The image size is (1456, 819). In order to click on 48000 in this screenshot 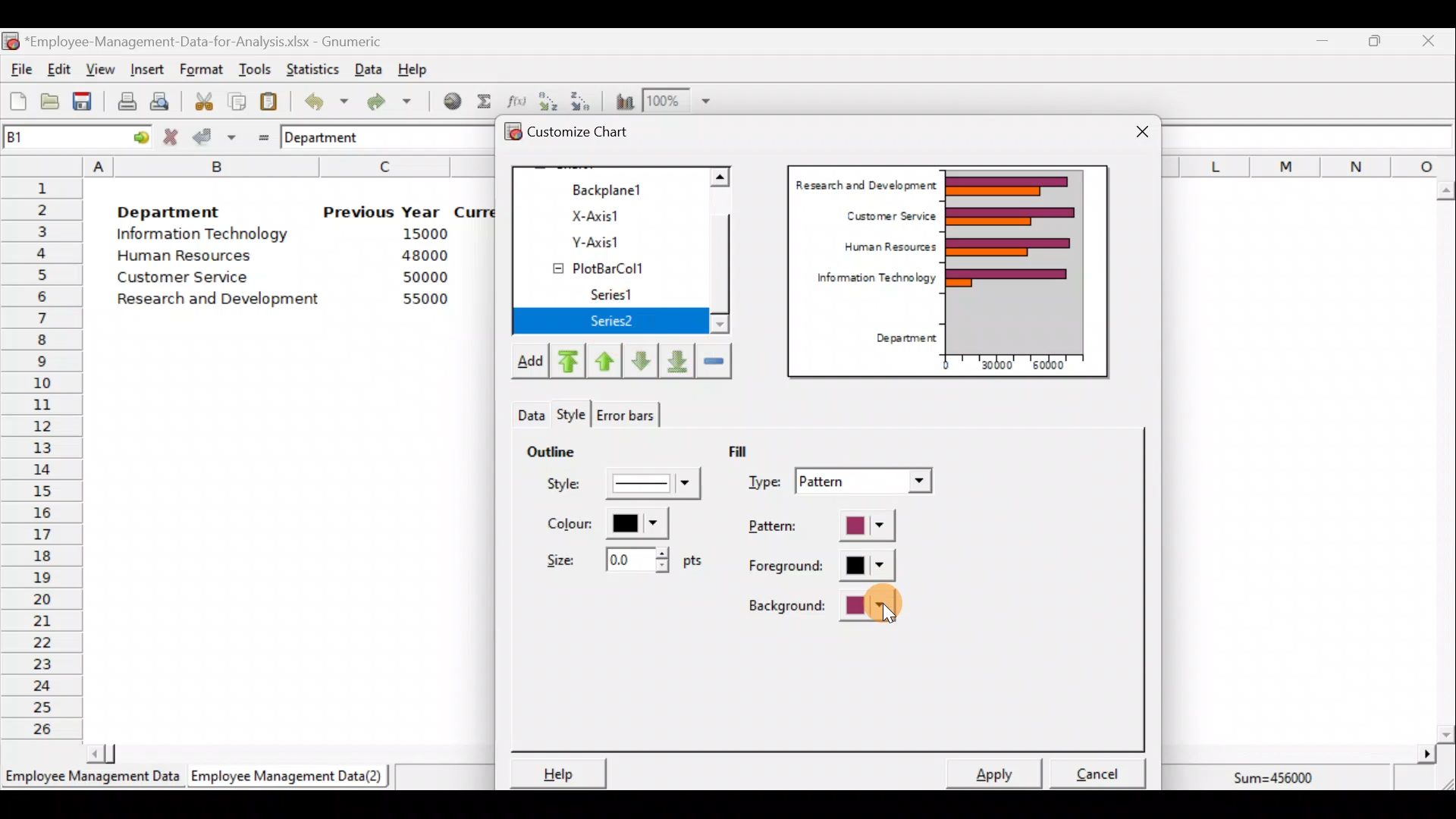, I will do `click(424, 256)`.